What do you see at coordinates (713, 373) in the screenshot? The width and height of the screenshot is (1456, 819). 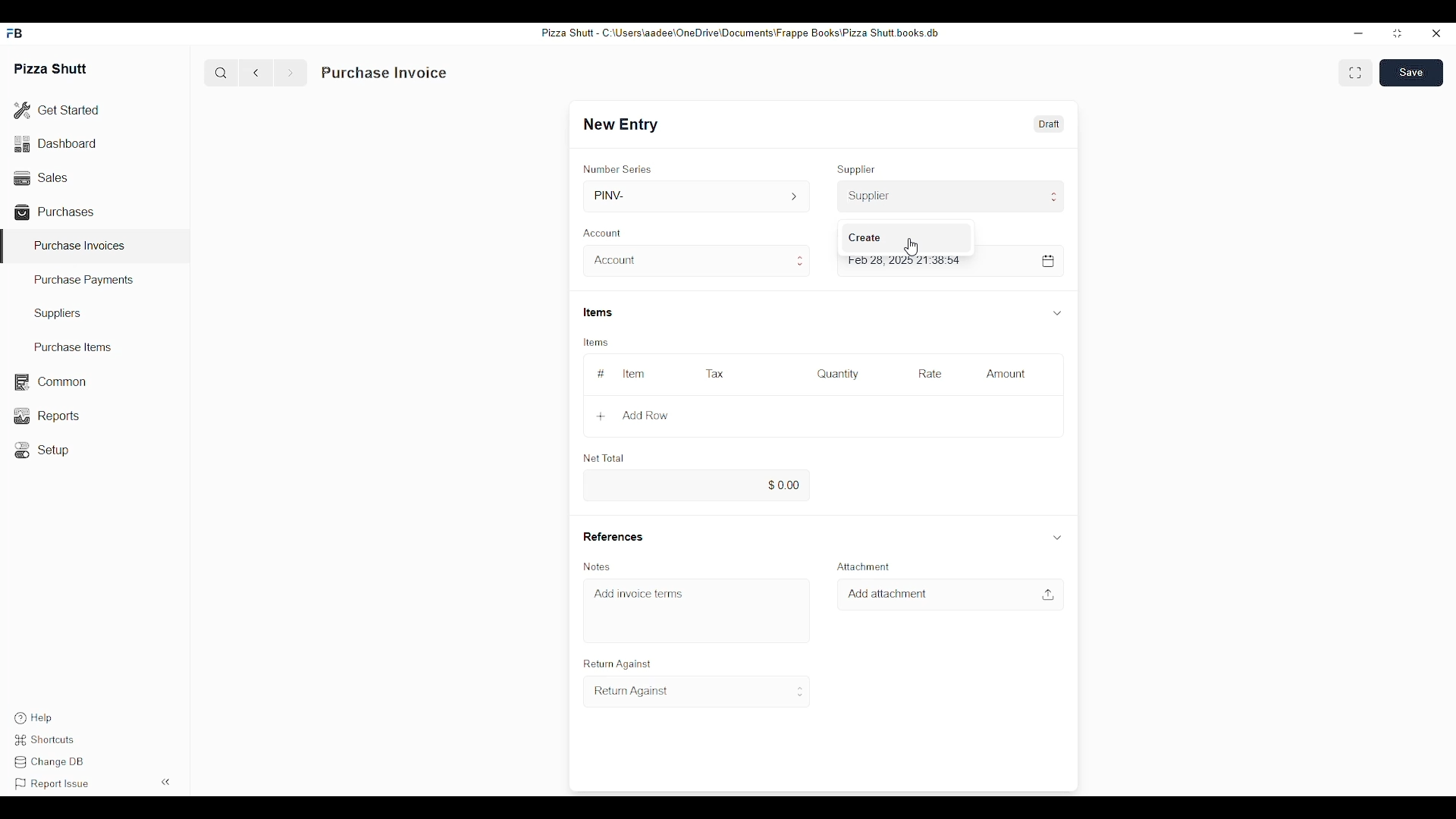 I see `Tax` at bounding box center [713, 373].